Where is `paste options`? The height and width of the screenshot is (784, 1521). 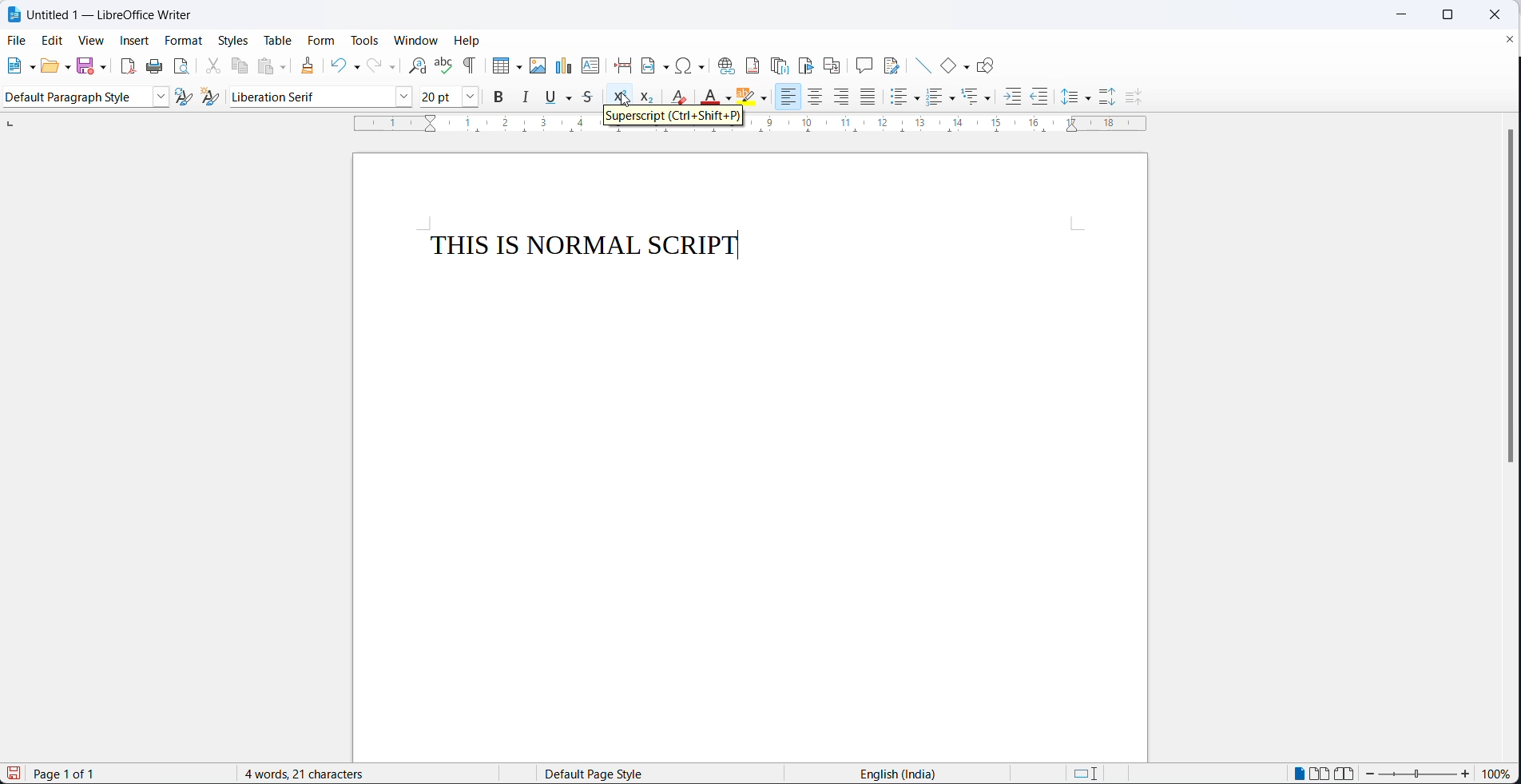
paste options is located at coordinates (288, 65).